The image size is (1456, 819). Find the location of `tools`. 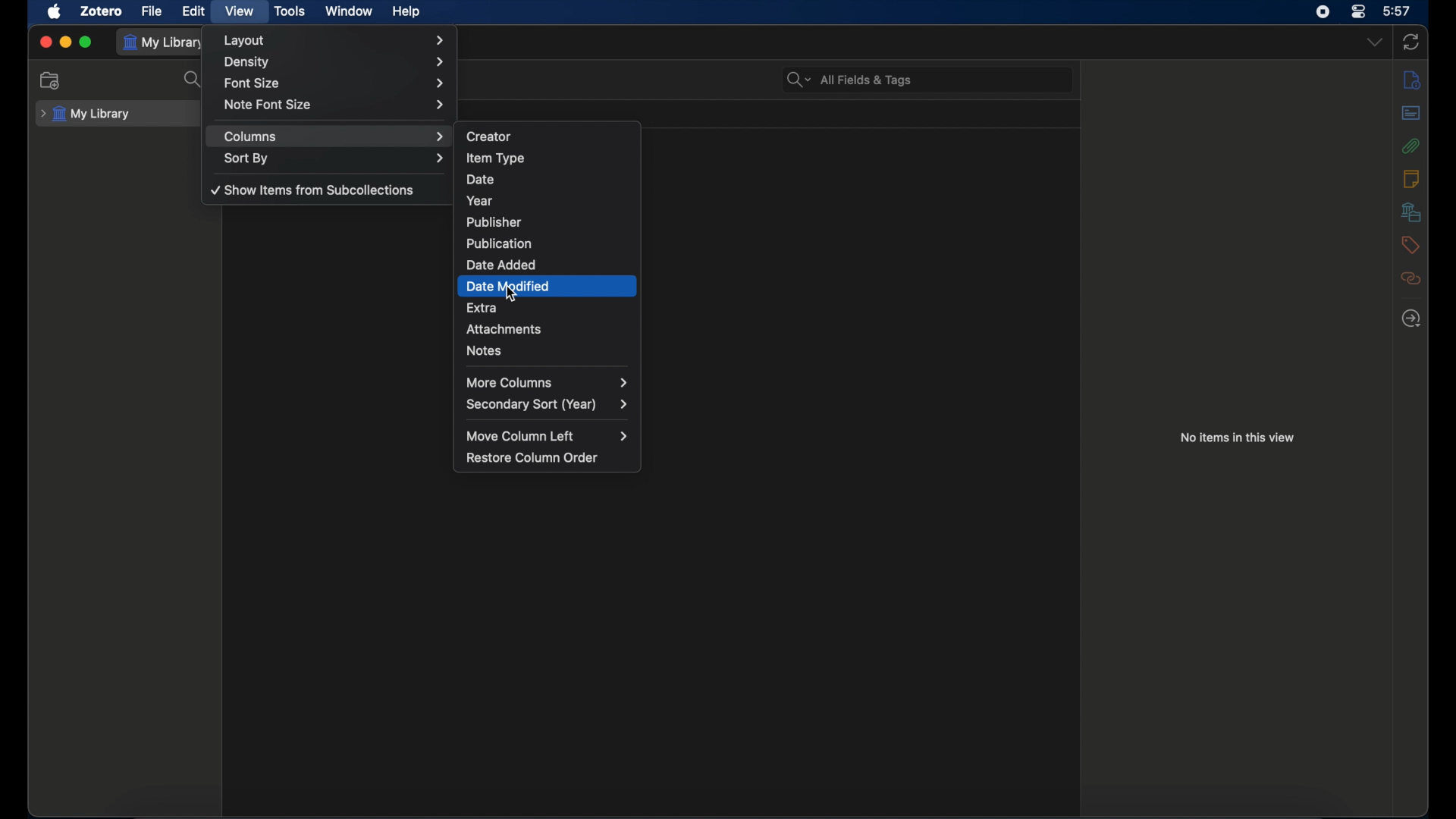

tools is located at coordinates (290, 11).